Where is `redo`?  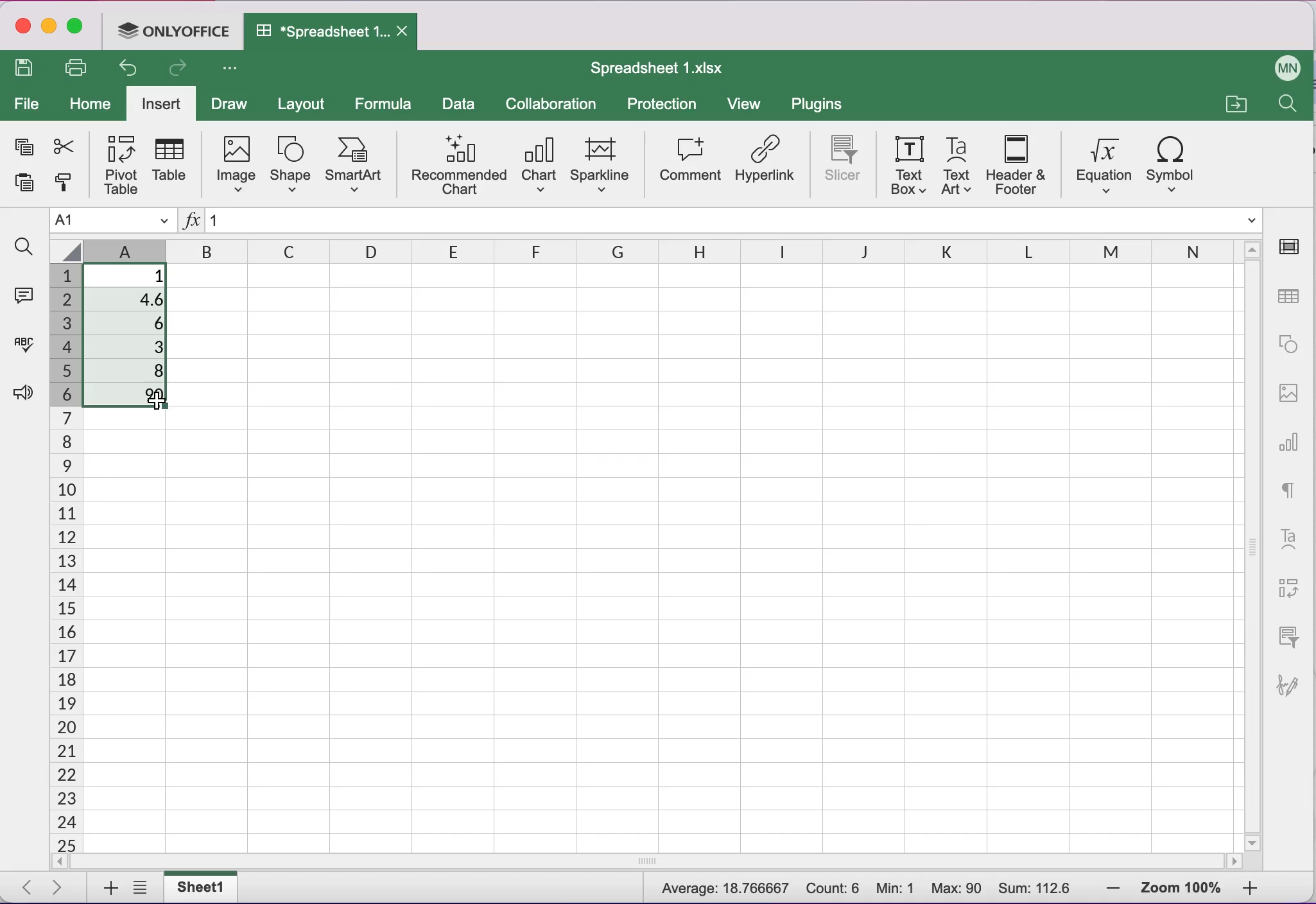
redo is located at coordinates (181, 69).